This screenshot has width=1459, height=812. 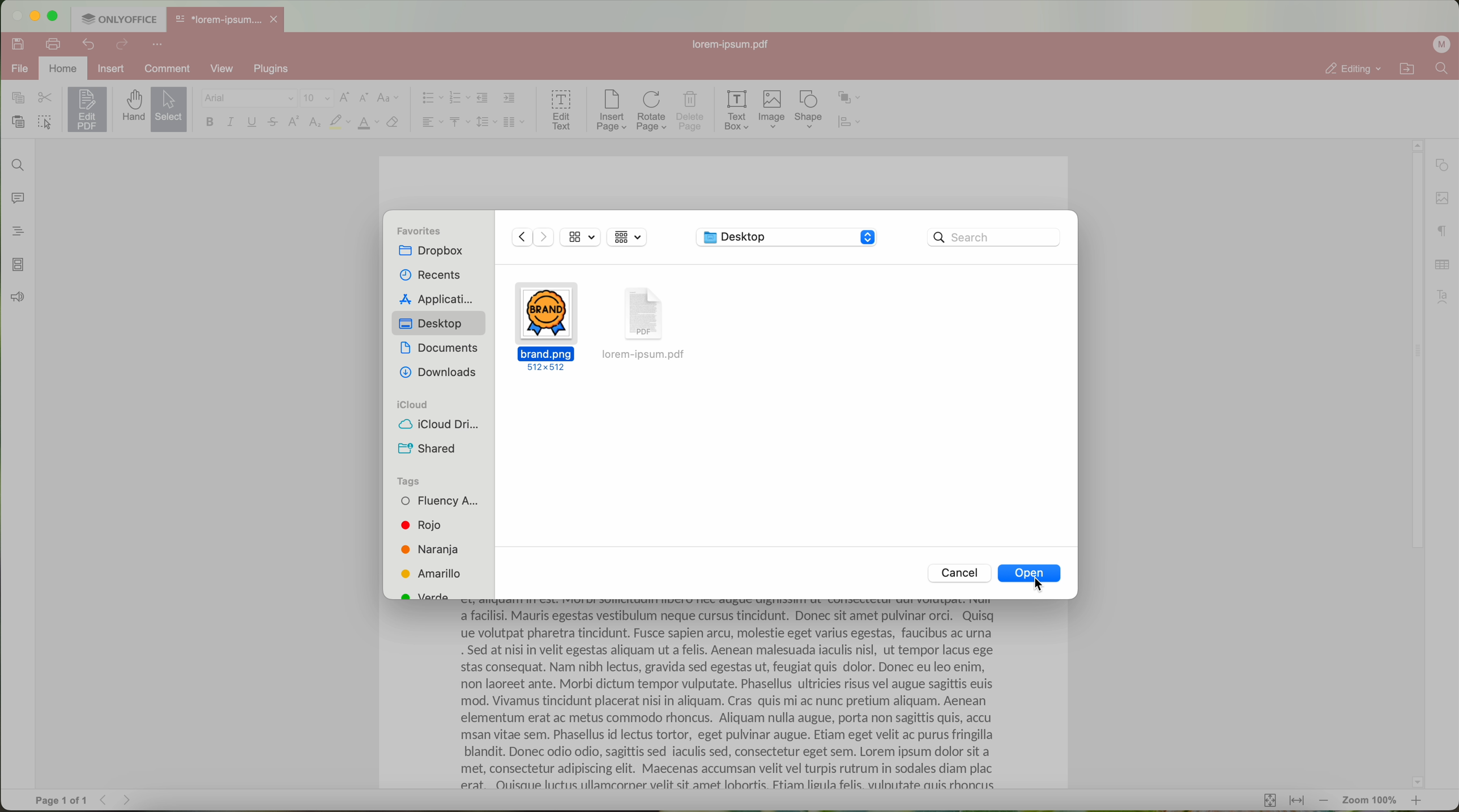 What do you see at coordinates (1324, 801) in the screenshot?
I see `zoom out` at bounding box center [1324, 801].